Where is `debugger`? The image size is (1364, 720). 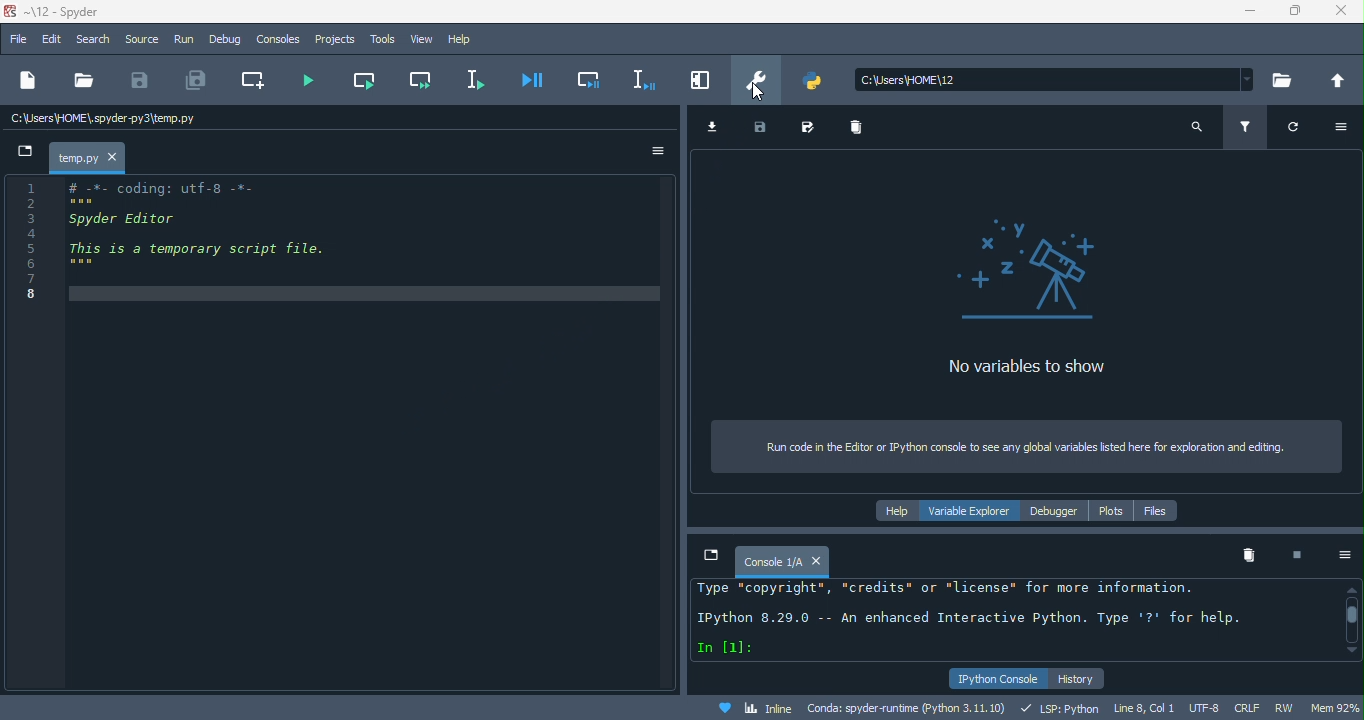 debugger is located at coordinates (1060, 511).